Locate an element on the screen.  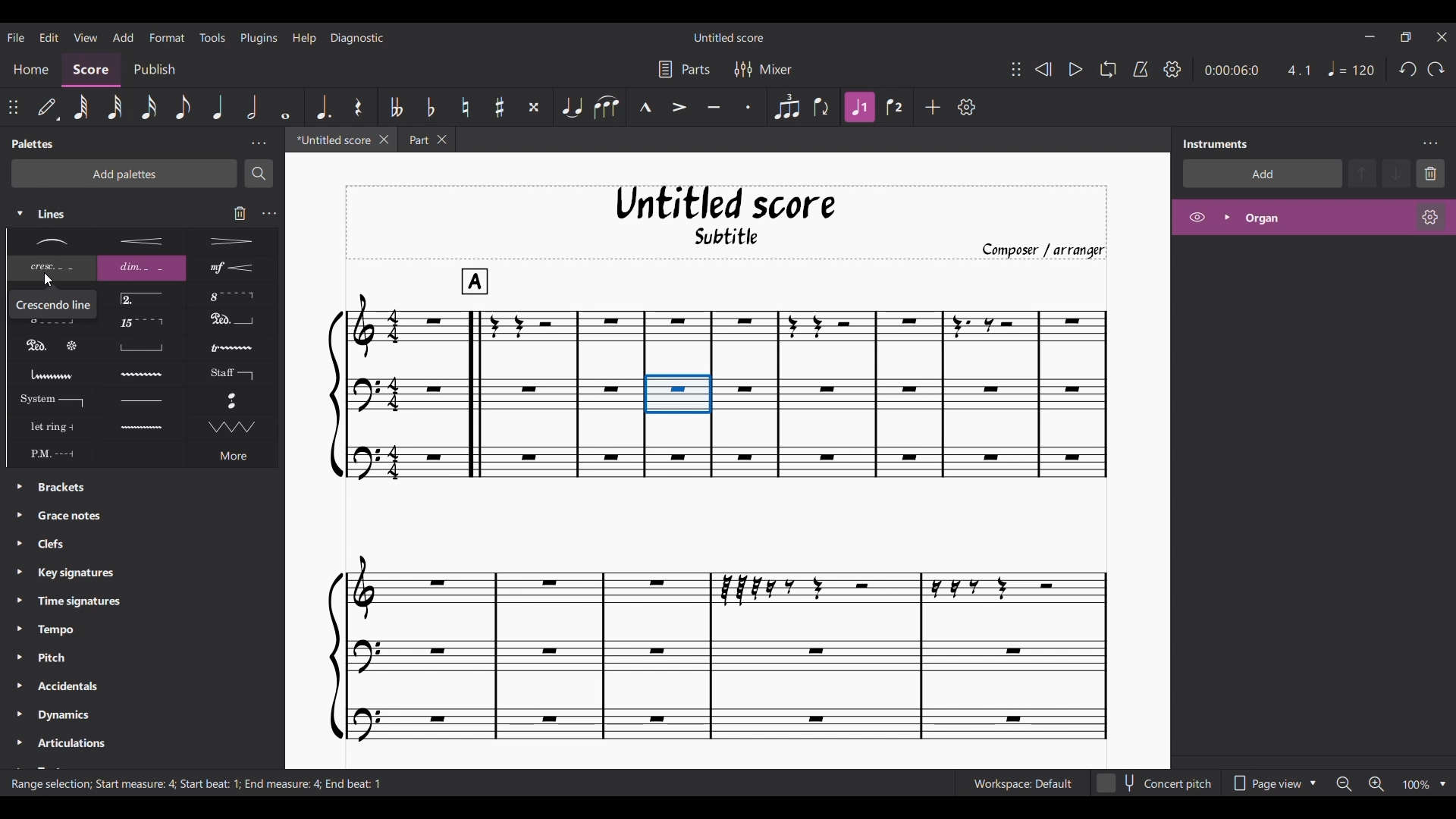
Looping playback is located at coordinates (1108, 69).